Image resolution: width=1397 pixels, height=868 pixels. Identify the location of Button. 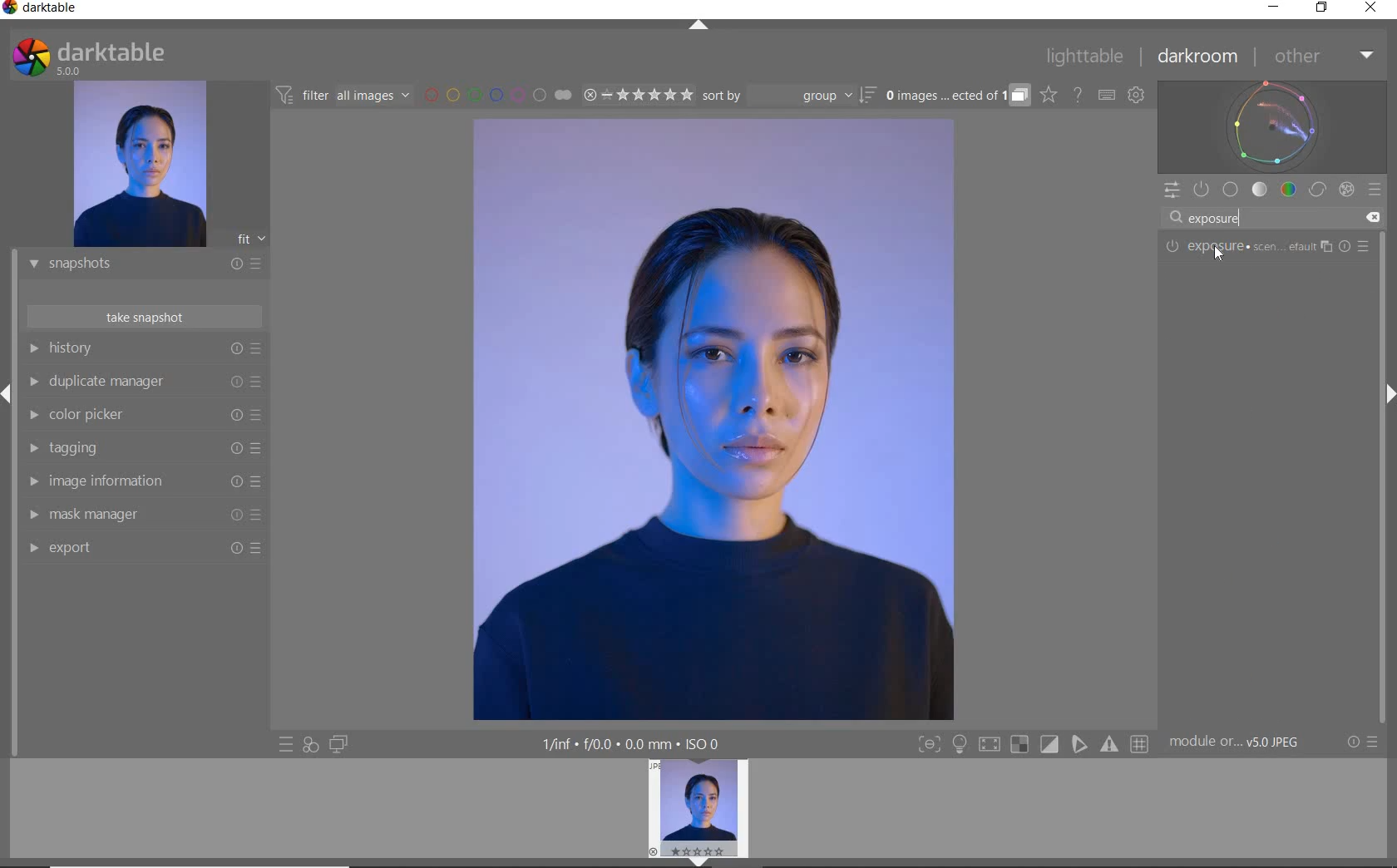
(1050, 745).